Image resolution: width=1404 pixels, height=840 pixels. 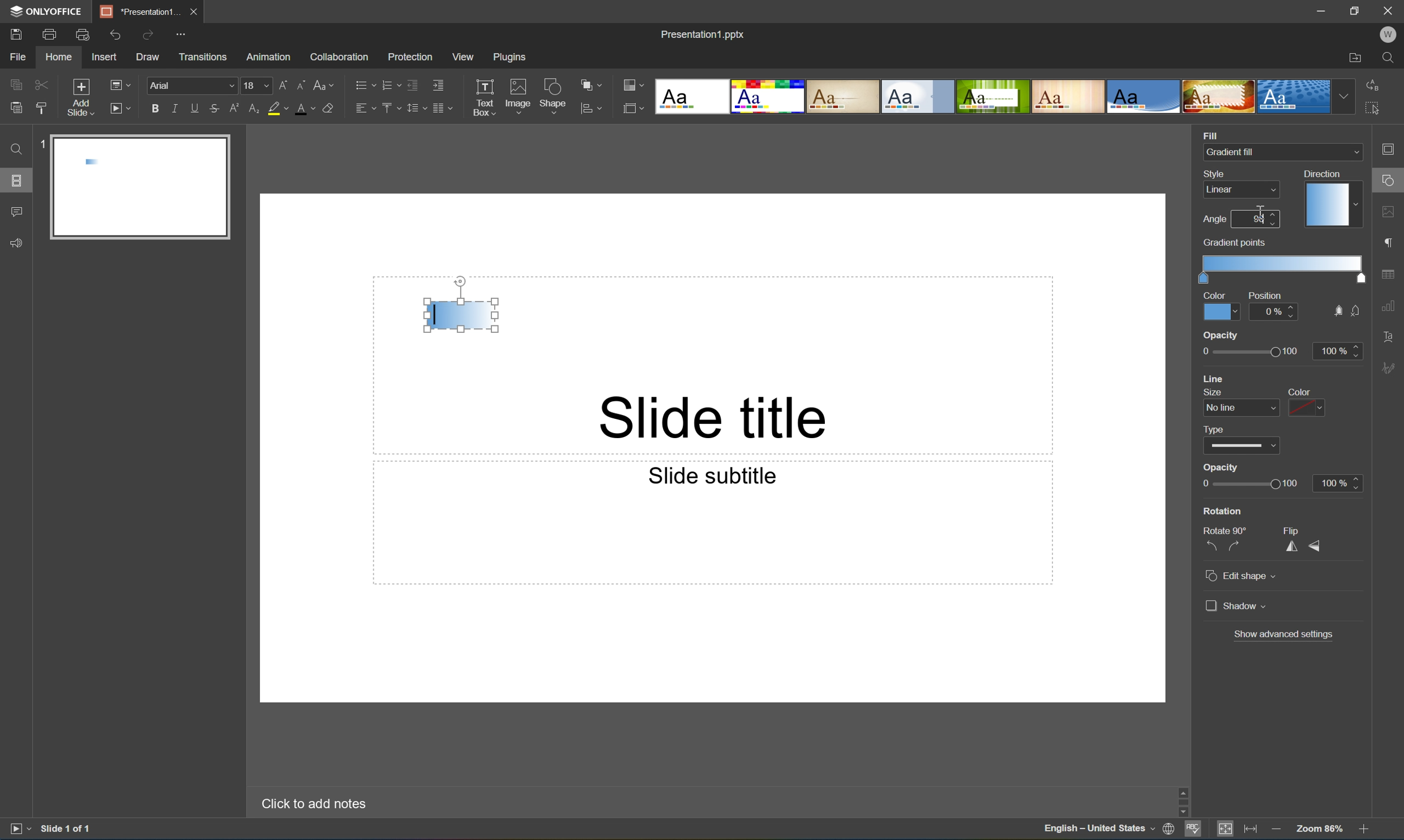 I want to click on Cursor, so click(x=1262, y=212).